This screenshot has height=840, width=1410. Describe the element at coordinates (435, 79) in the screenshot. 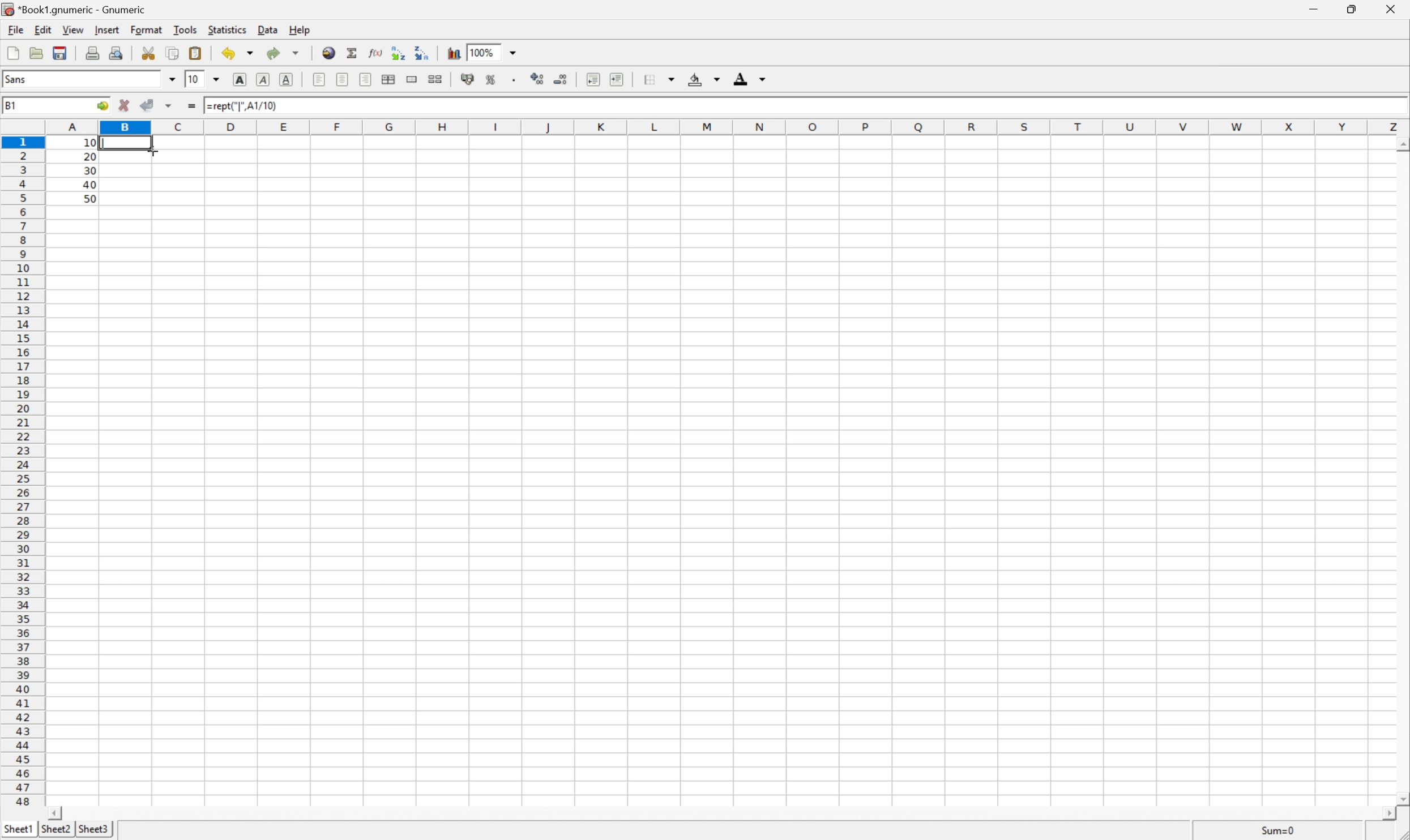

I see `Split the ranges of merged cells` at that location.